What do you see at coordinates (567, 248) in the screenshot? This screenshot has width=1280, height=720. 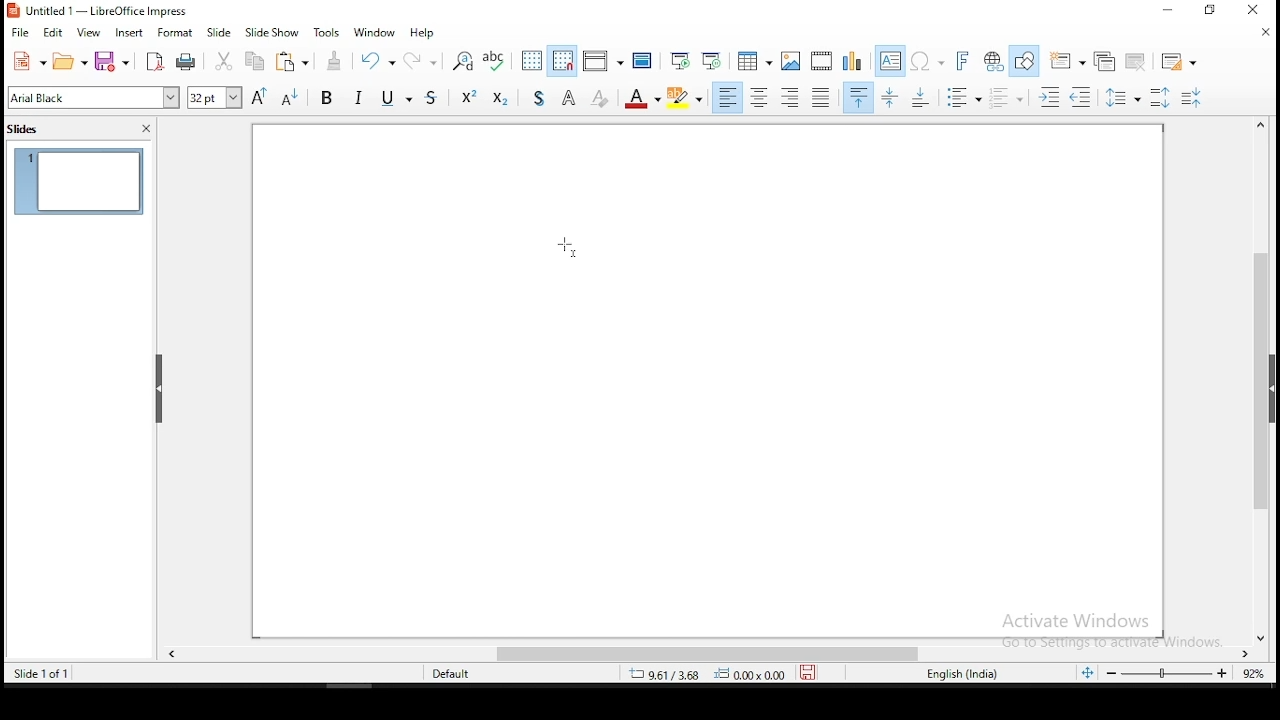 I see `mouse pointer` at bounding box center [567, 248].